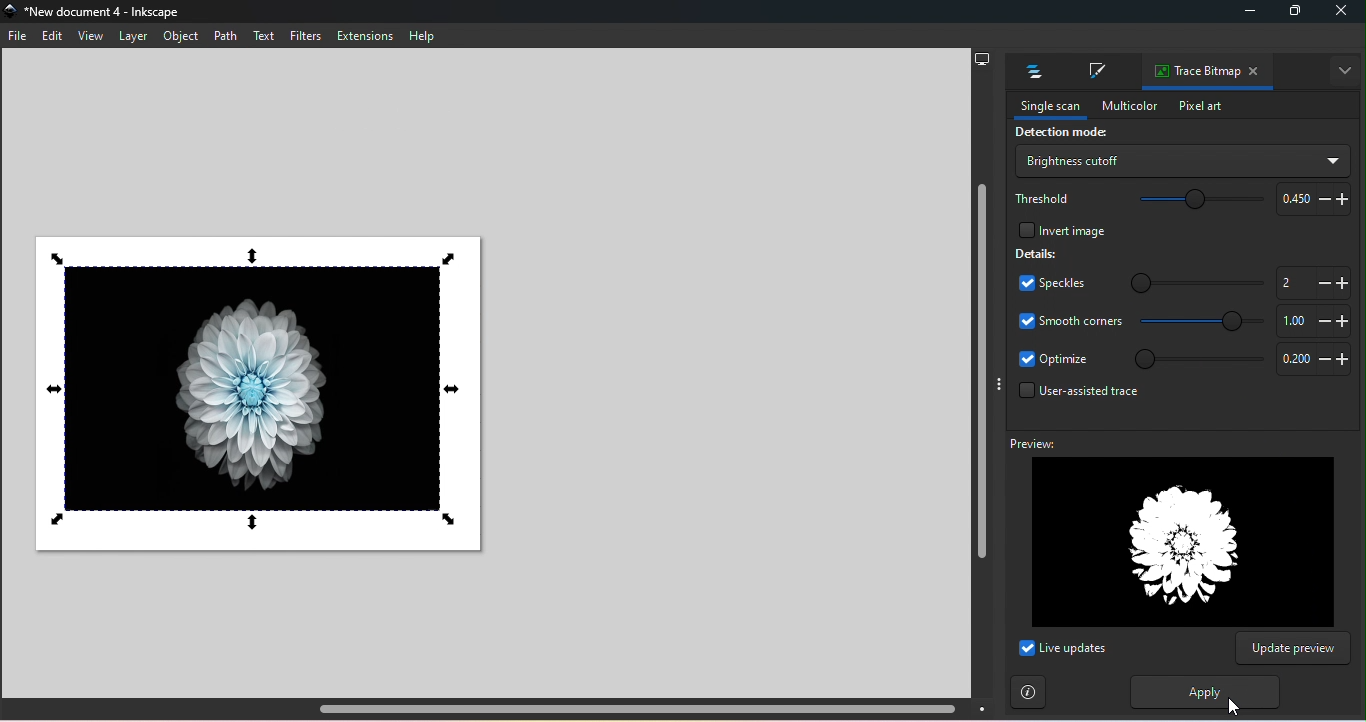 Image resolution: width=1366 pixels, height=722 pixels. What do you see at coordinates (1200, 692) in the screenshot?
I see `Apply` at bounding box center [1200, 692].